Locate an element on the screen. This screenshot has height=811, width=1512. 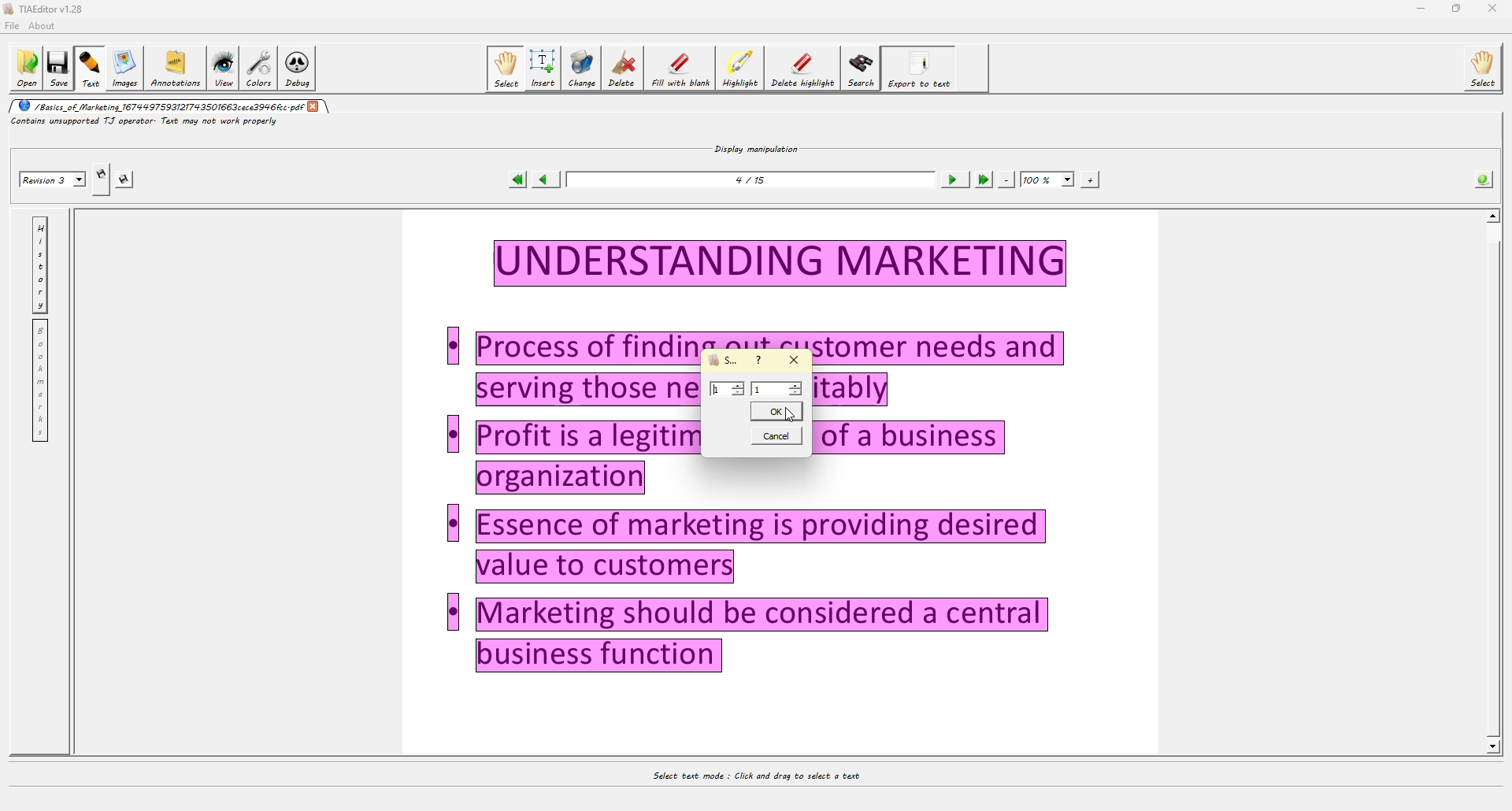
value is located at coordinates (729, 389).